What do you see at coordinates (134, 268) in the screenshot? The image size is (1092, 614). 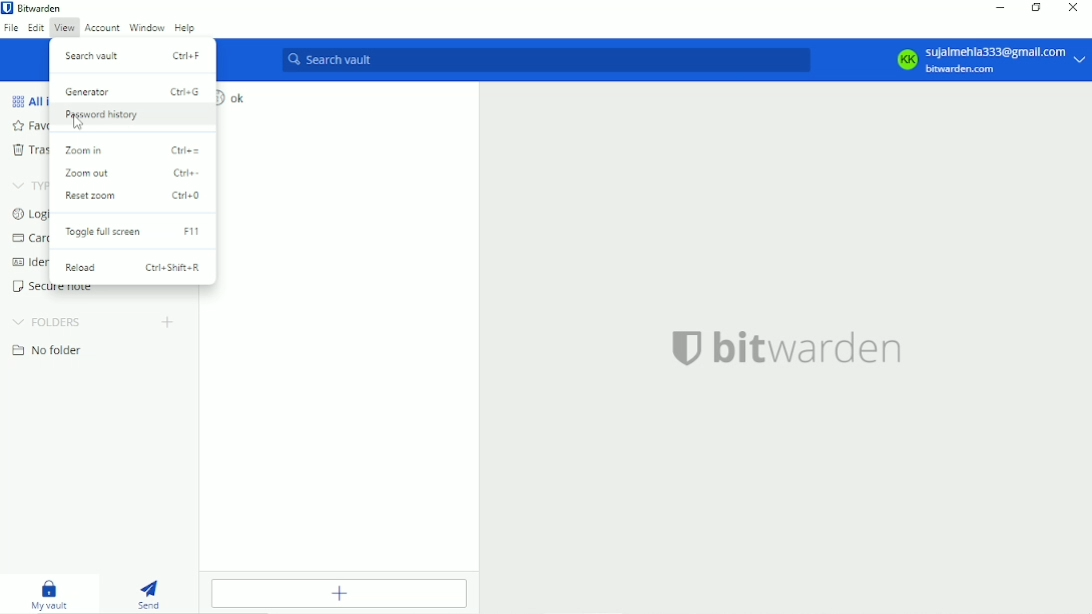 I see `Reload` at bounding box center [134, 268].